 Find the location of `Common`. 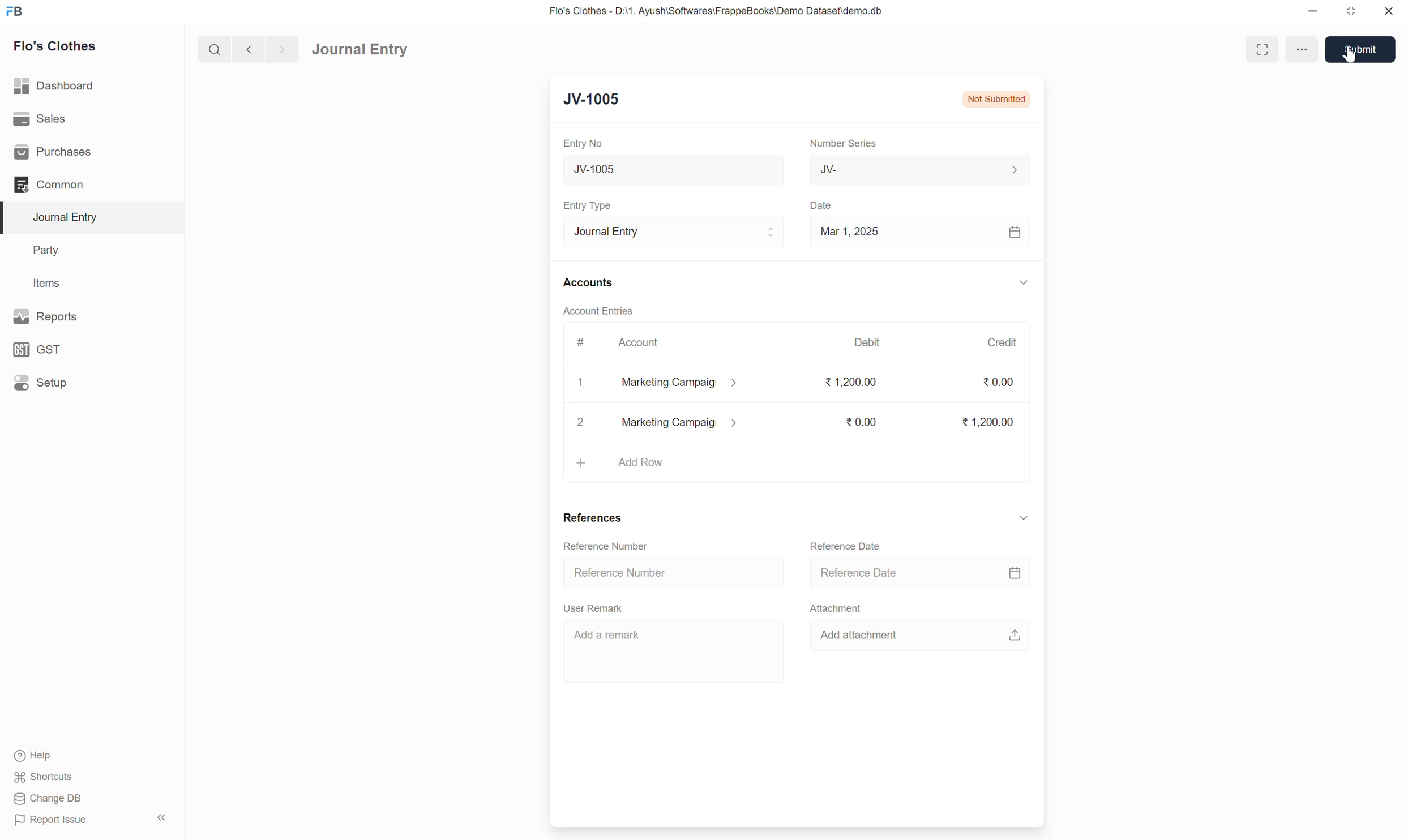

Common is located at coordinates (50, 185).